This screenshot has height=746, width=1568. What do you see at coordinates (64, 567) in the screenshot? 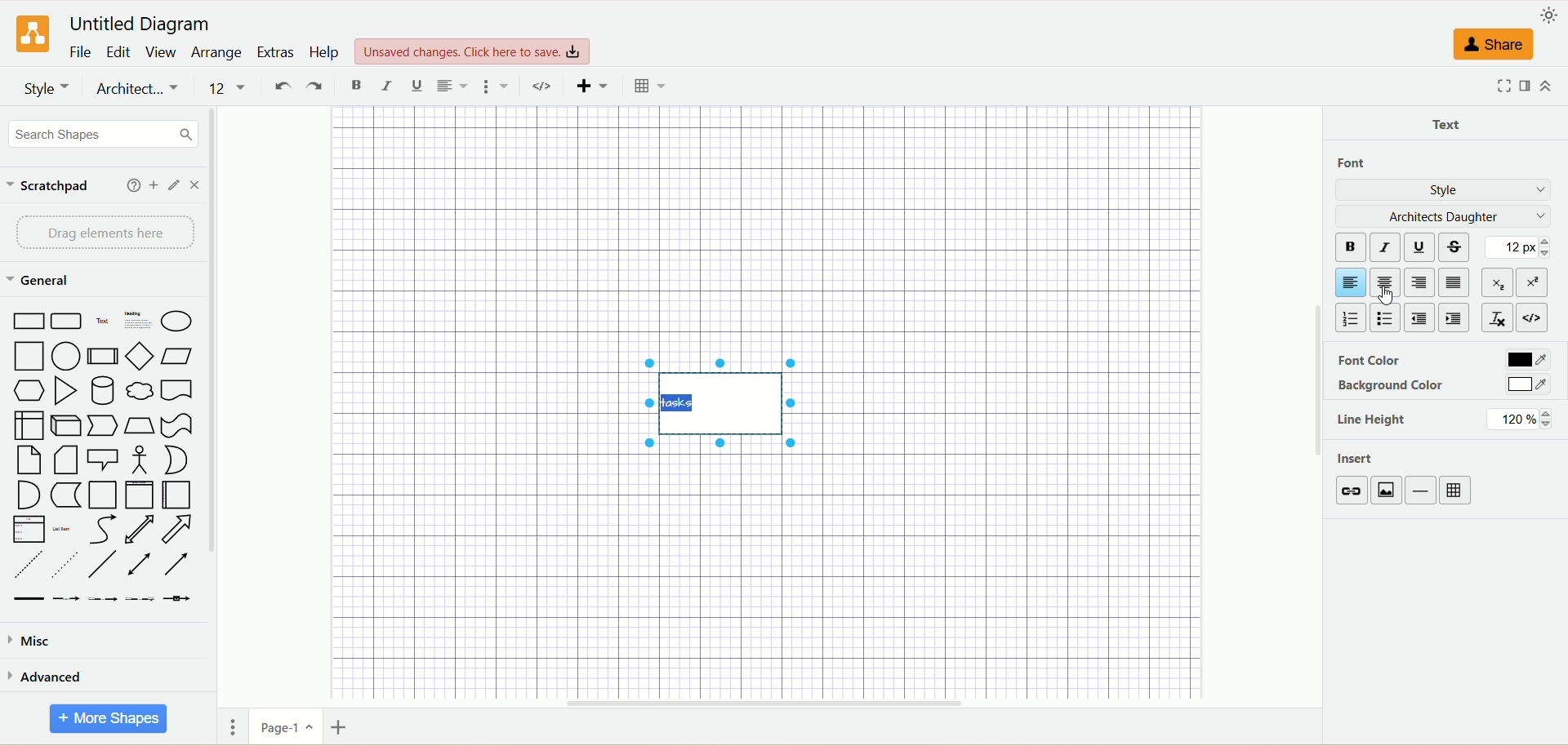
I see `Sparsely Dotted Line` at bounding box center [64, 567].